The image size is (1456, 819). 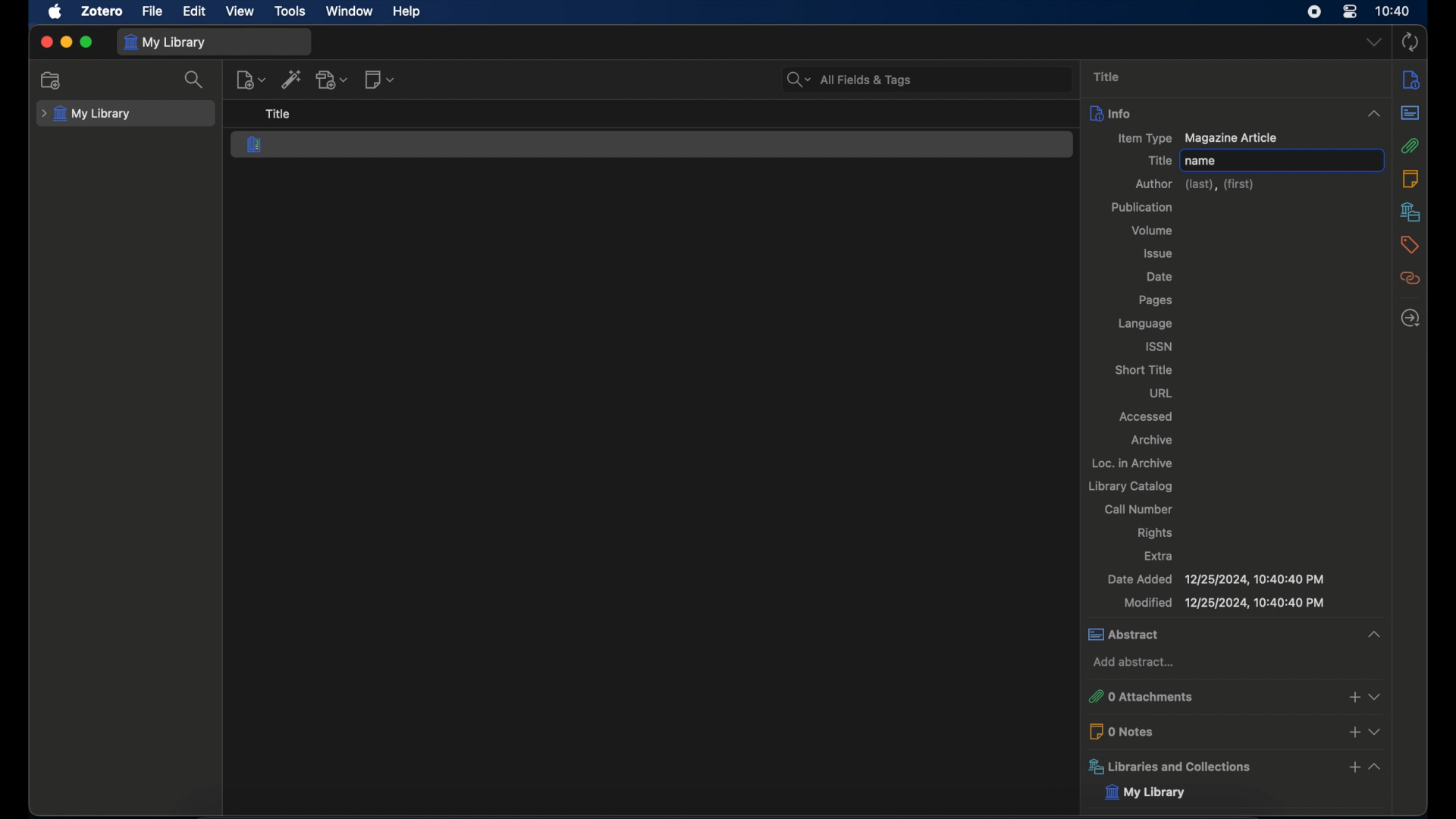 I want to click on 0 notes, so click(x=1234, y=731).